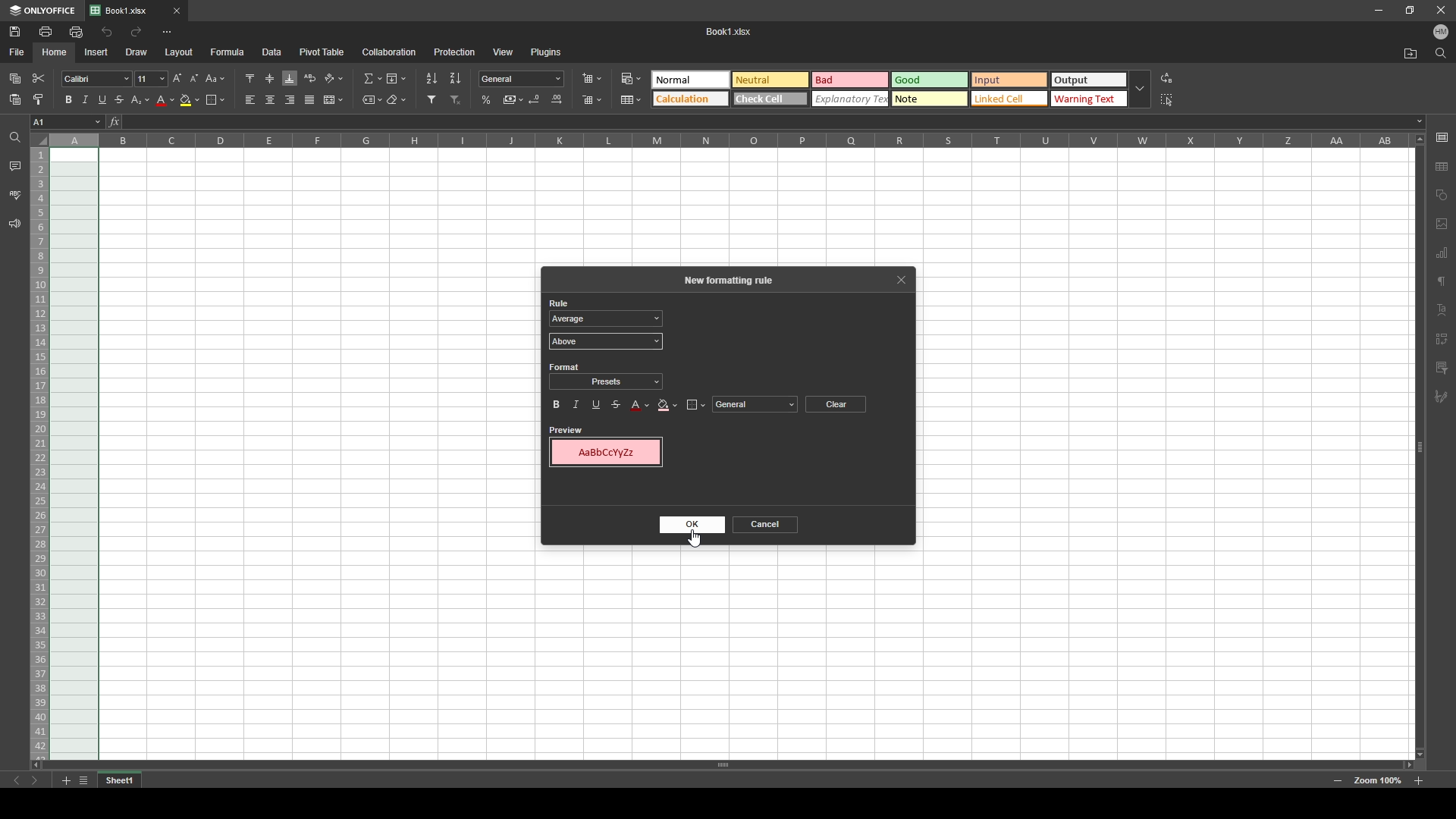 Image resolution: width=1456 pixels, height=819 pixels. What do you see at coordinates (227, 51) in the screenshot?
I see `formula` at bounding box center [227, 51].